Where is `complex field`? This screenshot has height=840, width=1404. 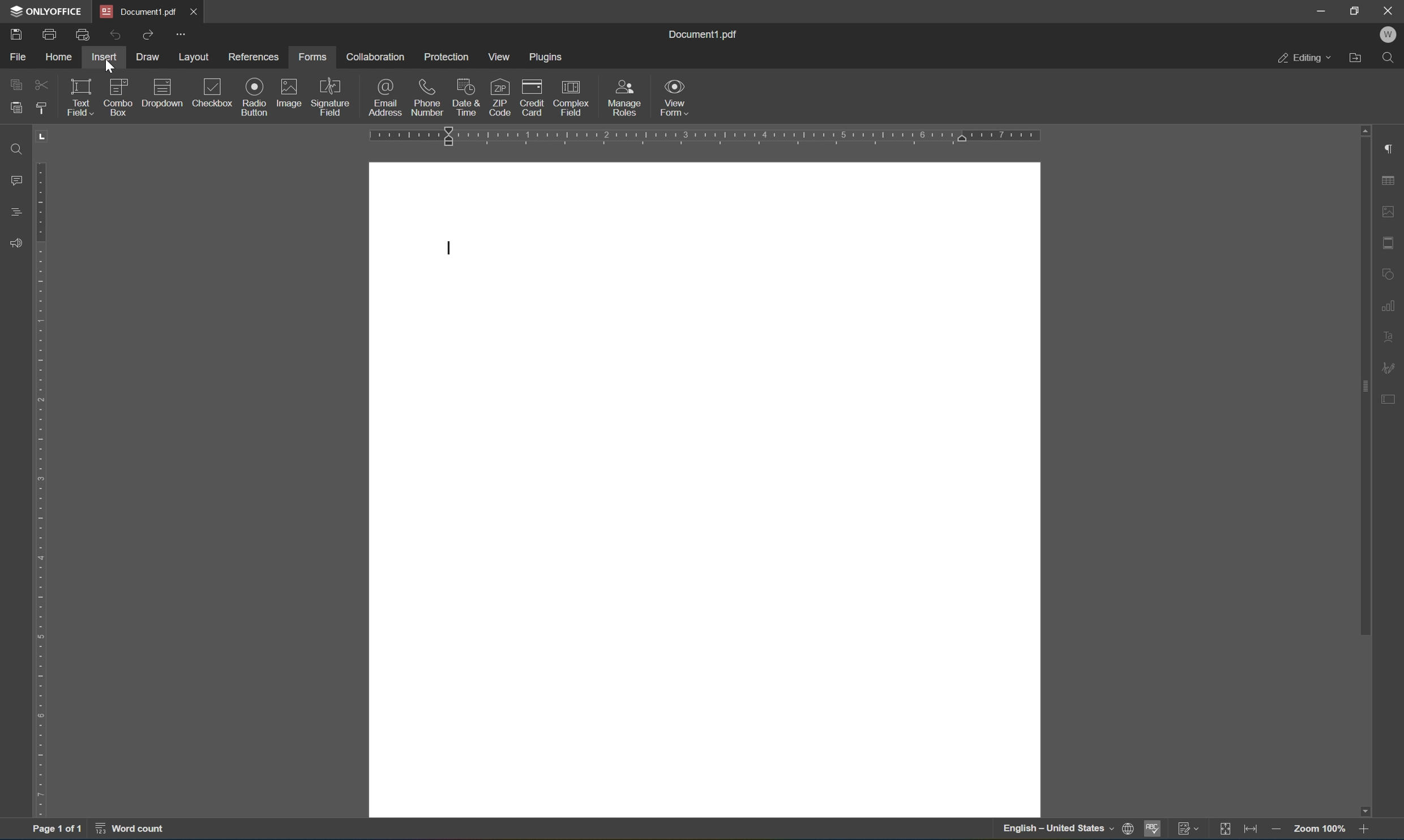
complex field is located at coordinates (575, 97).